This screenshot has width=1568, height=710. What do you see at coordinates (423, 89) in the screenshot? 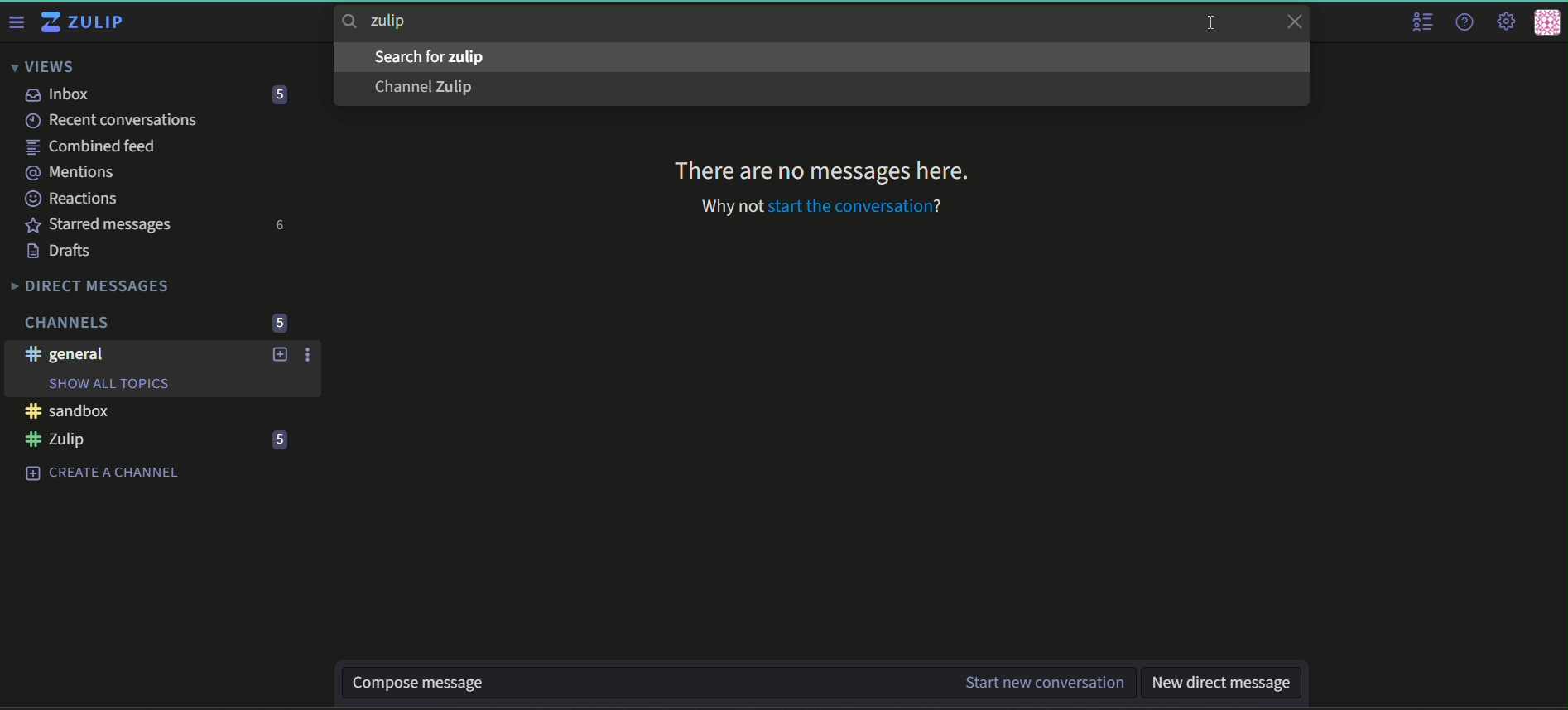
I see `text` at bounding box center [423, 89].